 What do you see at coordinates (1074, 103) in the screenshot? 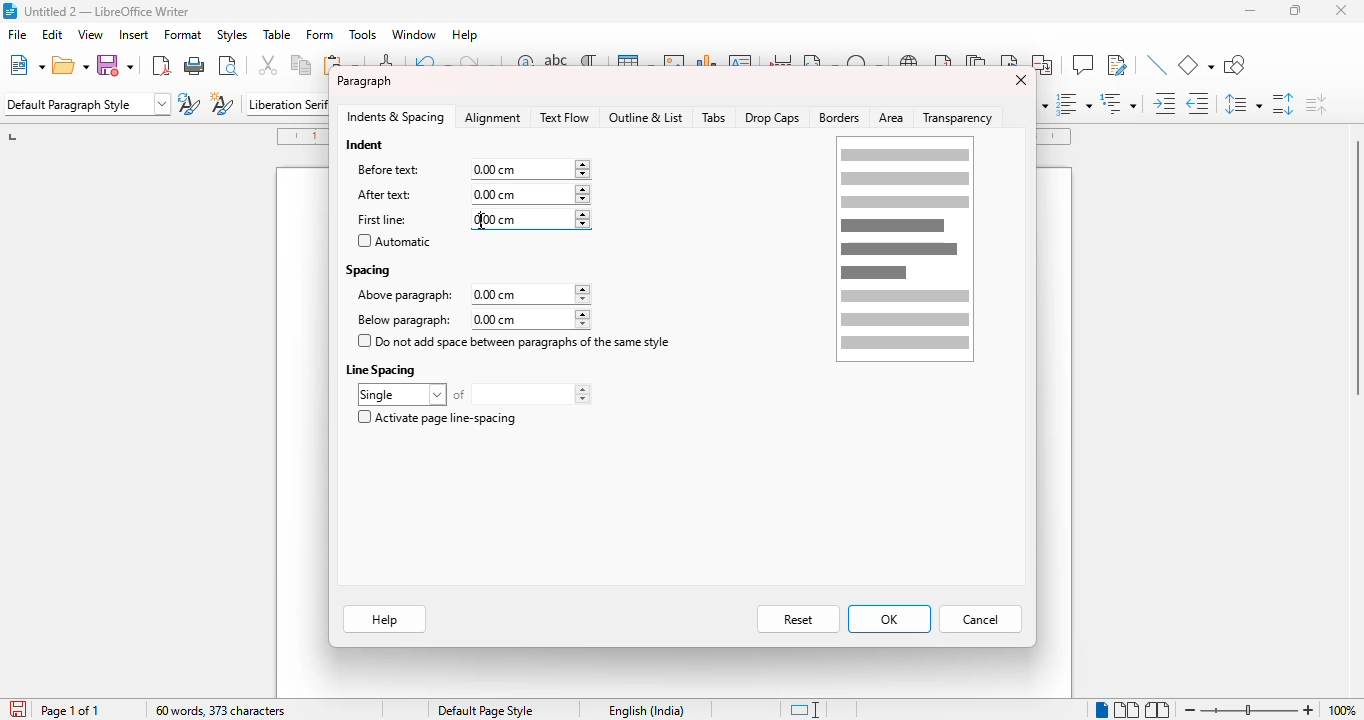
I see `toggle ordered list` at bounding box center [1074, 103].